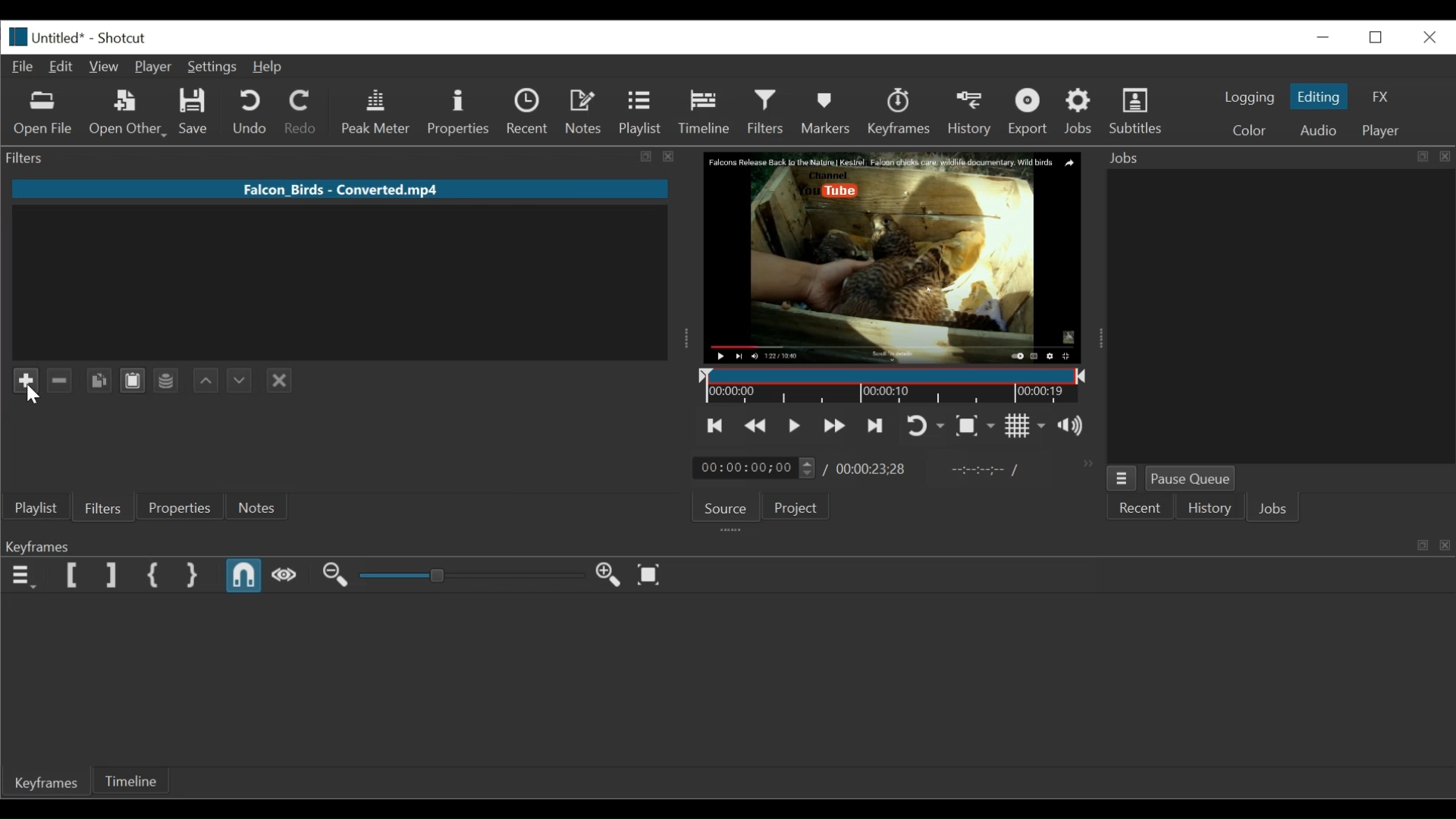 This screenshot has height=819, width=1456. I want to click on Color, so click(1250, 129).